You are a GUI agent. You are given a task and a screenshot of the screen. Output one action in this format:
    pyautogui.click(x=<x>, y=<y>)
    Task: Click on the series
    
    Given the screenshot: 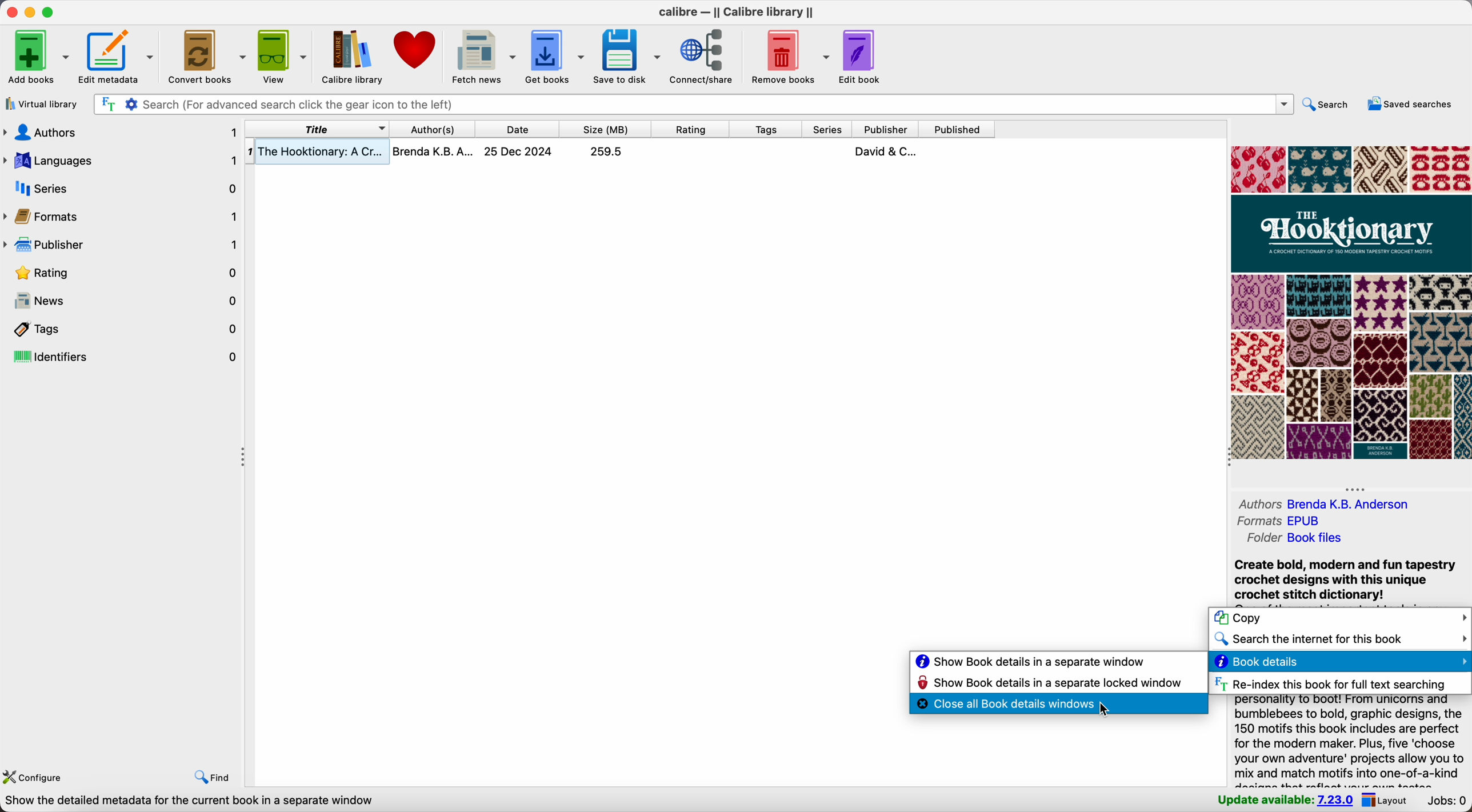 What is the action you would take?
    pyautogui.click(x=122, y=189)
    